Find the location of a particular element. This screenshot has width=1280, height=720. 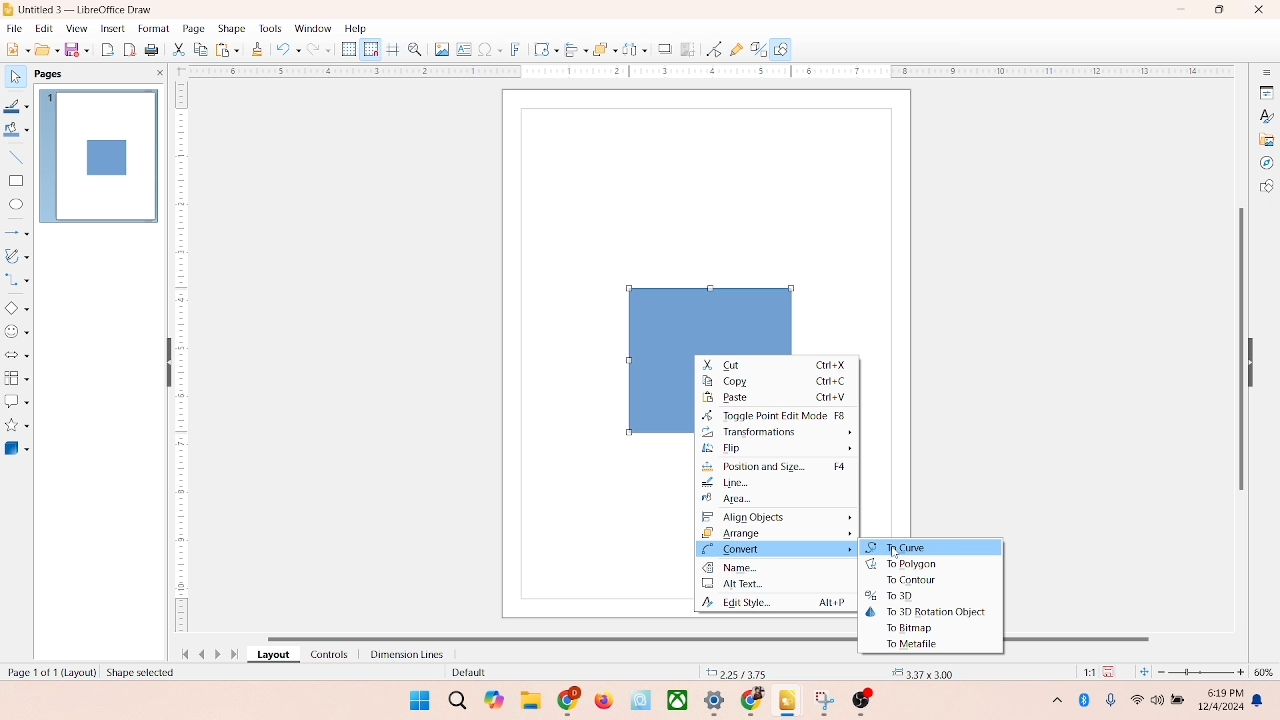

help is located at coordinates (356, 28).